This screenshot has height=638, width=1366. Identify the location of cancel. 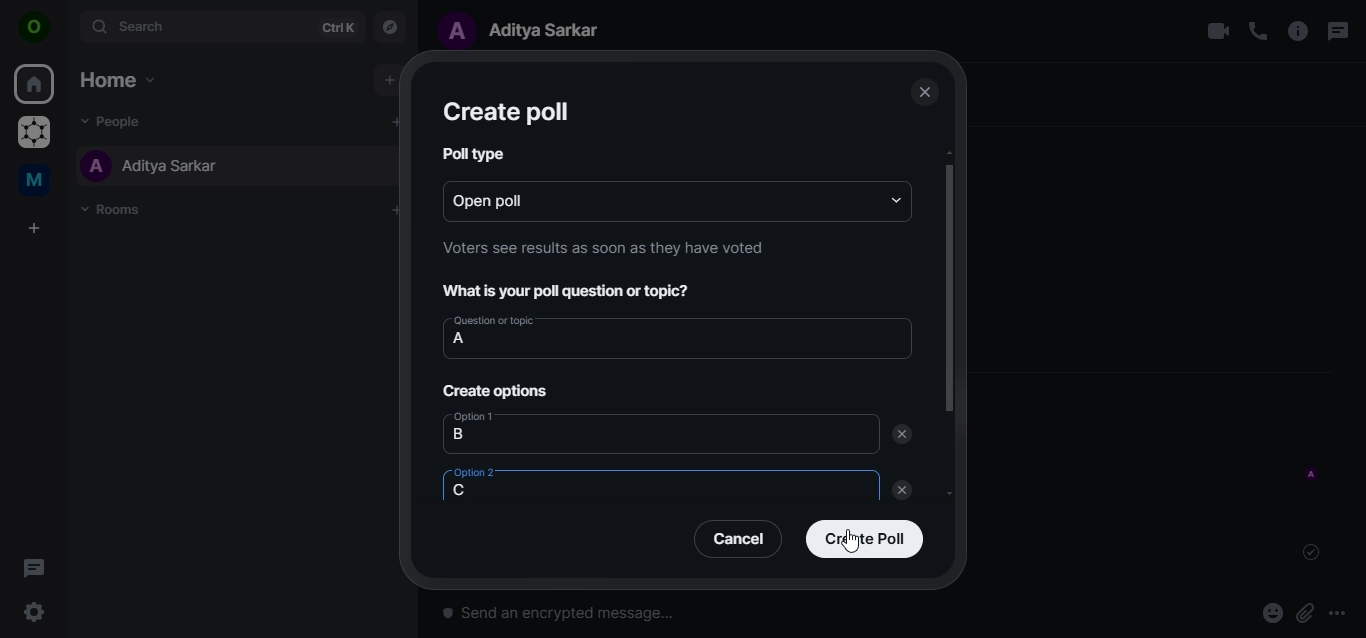
(742, 538).